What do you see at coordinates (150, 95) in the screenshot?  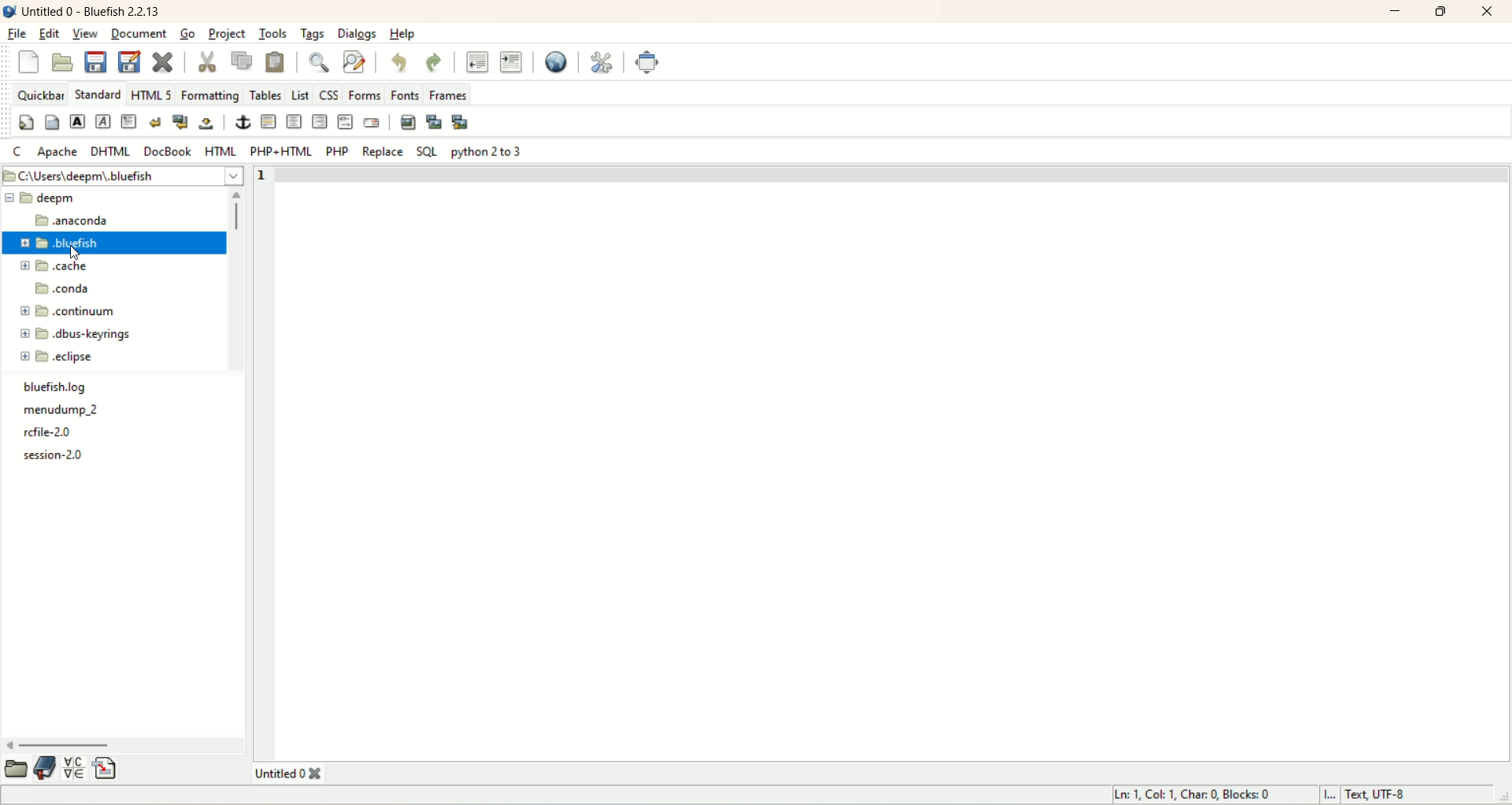 I see `HTML 5` at bounding box center [150, 95].